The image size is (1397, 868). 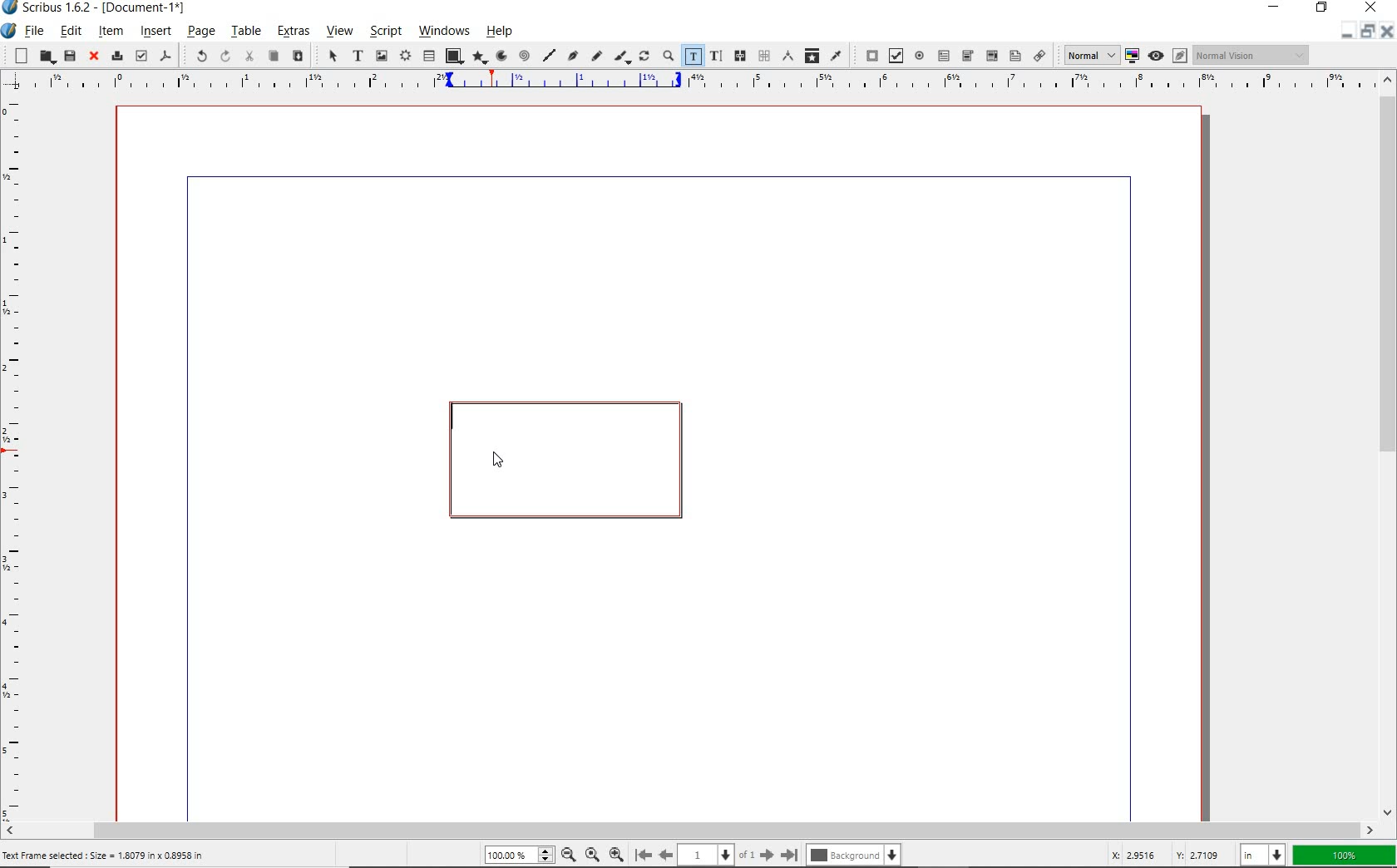 What do you see at coordinates (811, 55) in the screenshot?
I see `copy item properties` at bounding box center [811, 55].